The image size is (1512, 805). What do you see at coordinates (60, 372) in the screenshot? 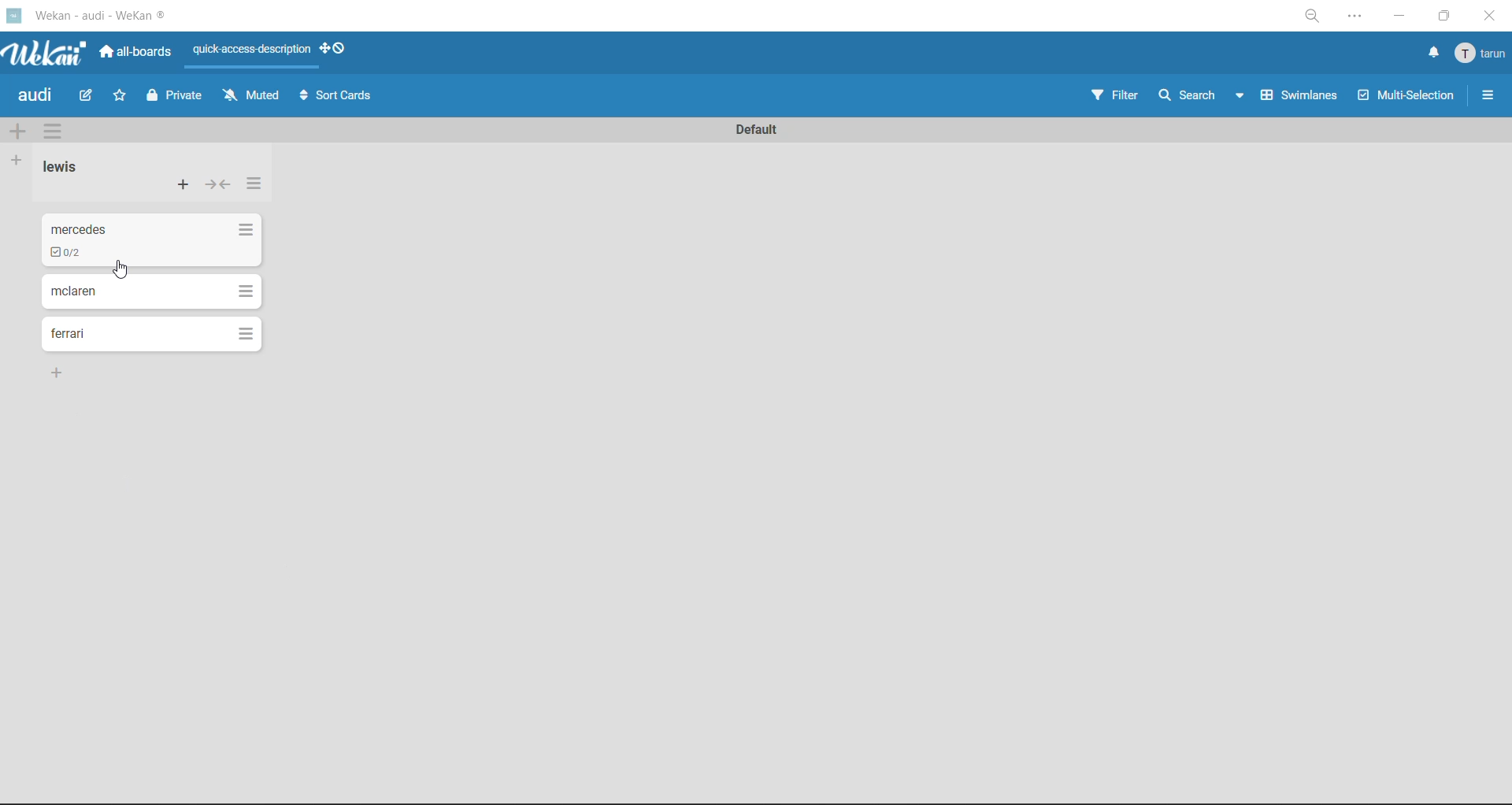
I see `Add card to bottom of the list` at bounding box center [60, 372].